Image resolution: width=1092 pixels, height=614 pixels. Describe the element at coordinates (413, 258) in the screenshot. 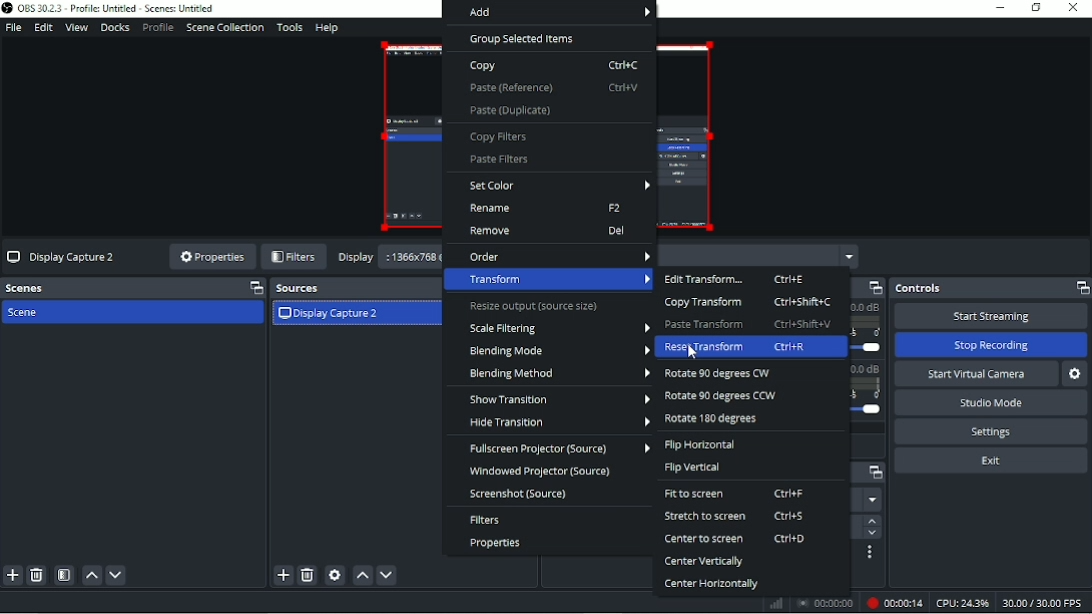

I see `: 1366x768 @ 0,0 (Primary Monitor)` at that location.